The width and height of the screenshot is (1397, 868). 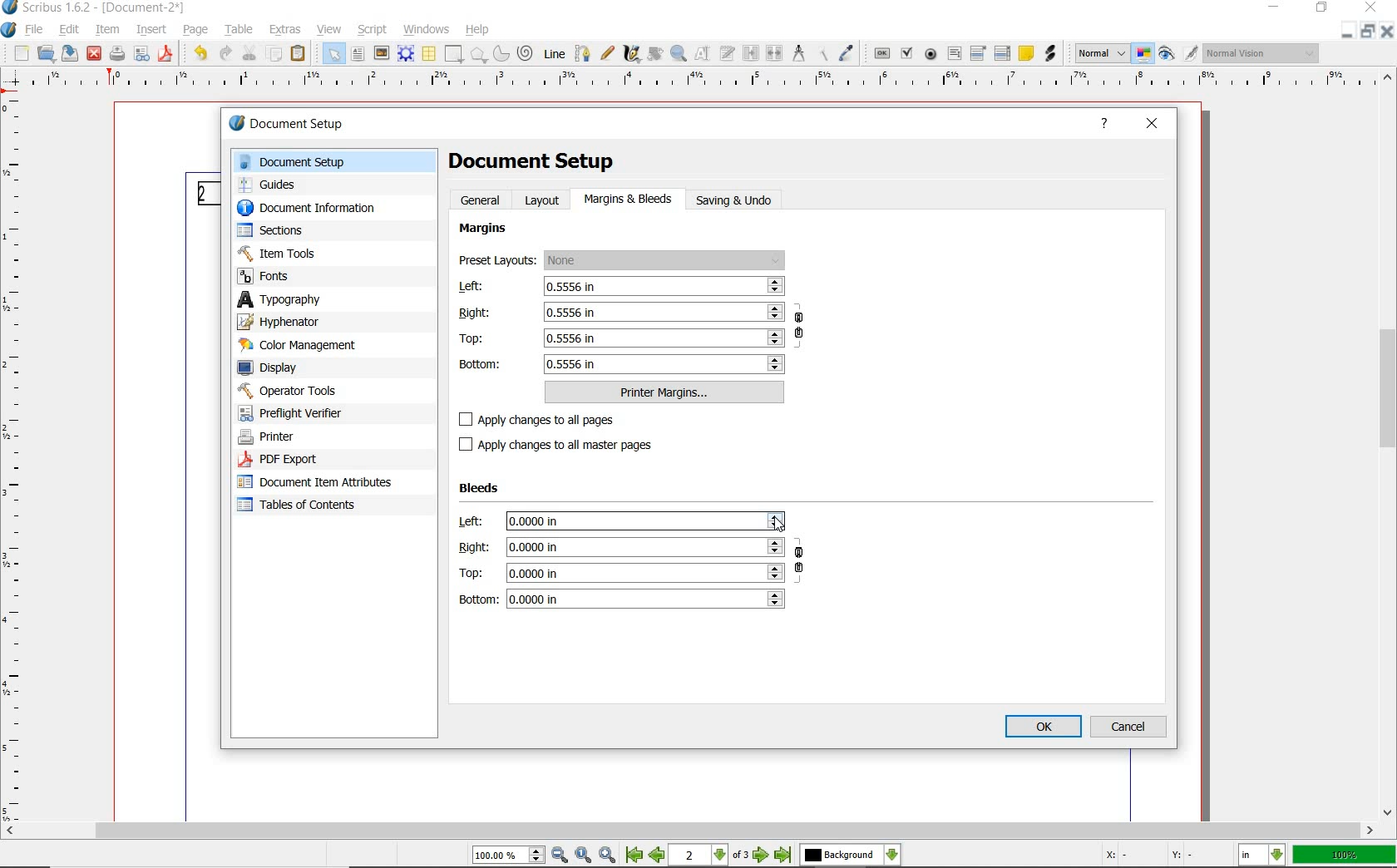 What do you see at coordinates (659, 857) in the screenshot?
I see `Previous Page` at bounding box center [659, 857].